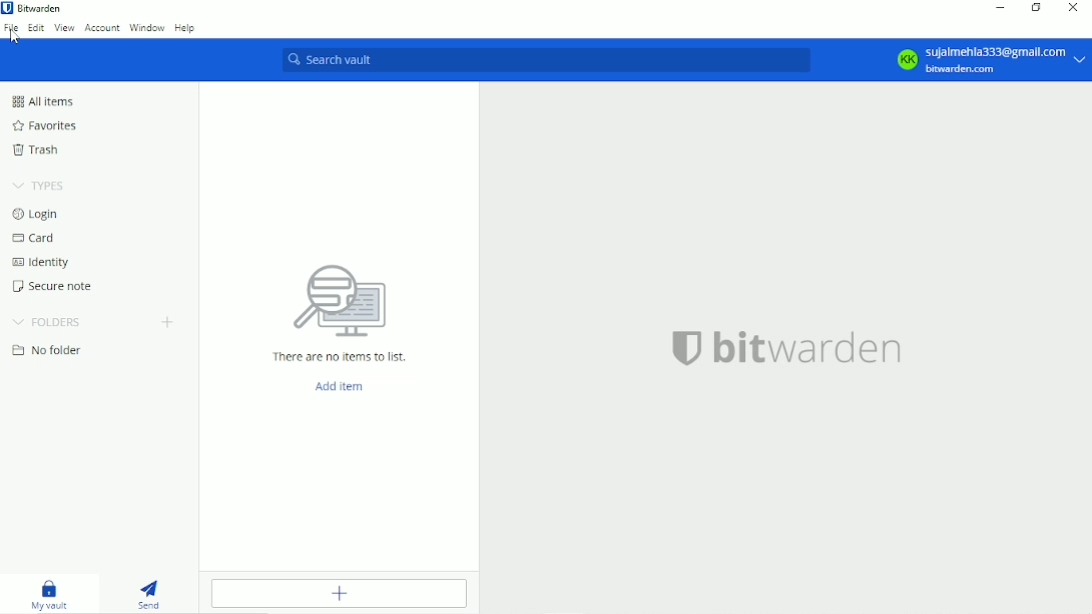  What do you see at coordinates (103, 28) in the screenshot?
I see `Account` at bounding box center [103, 28].